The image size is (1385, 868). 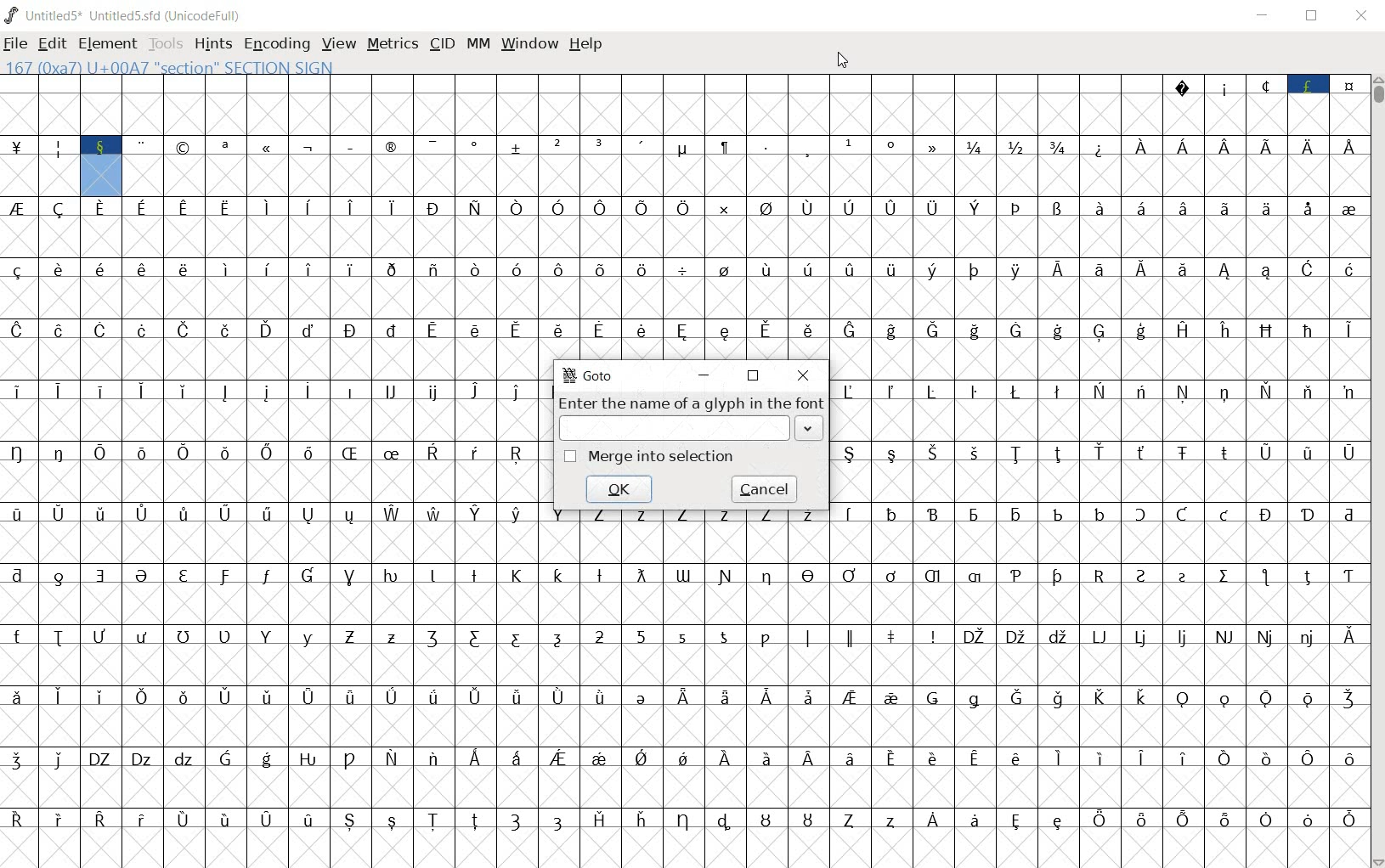 What do you see at coordinates (686, 288) in the screenshot?
I see `division` at bounding box center [686, 288].